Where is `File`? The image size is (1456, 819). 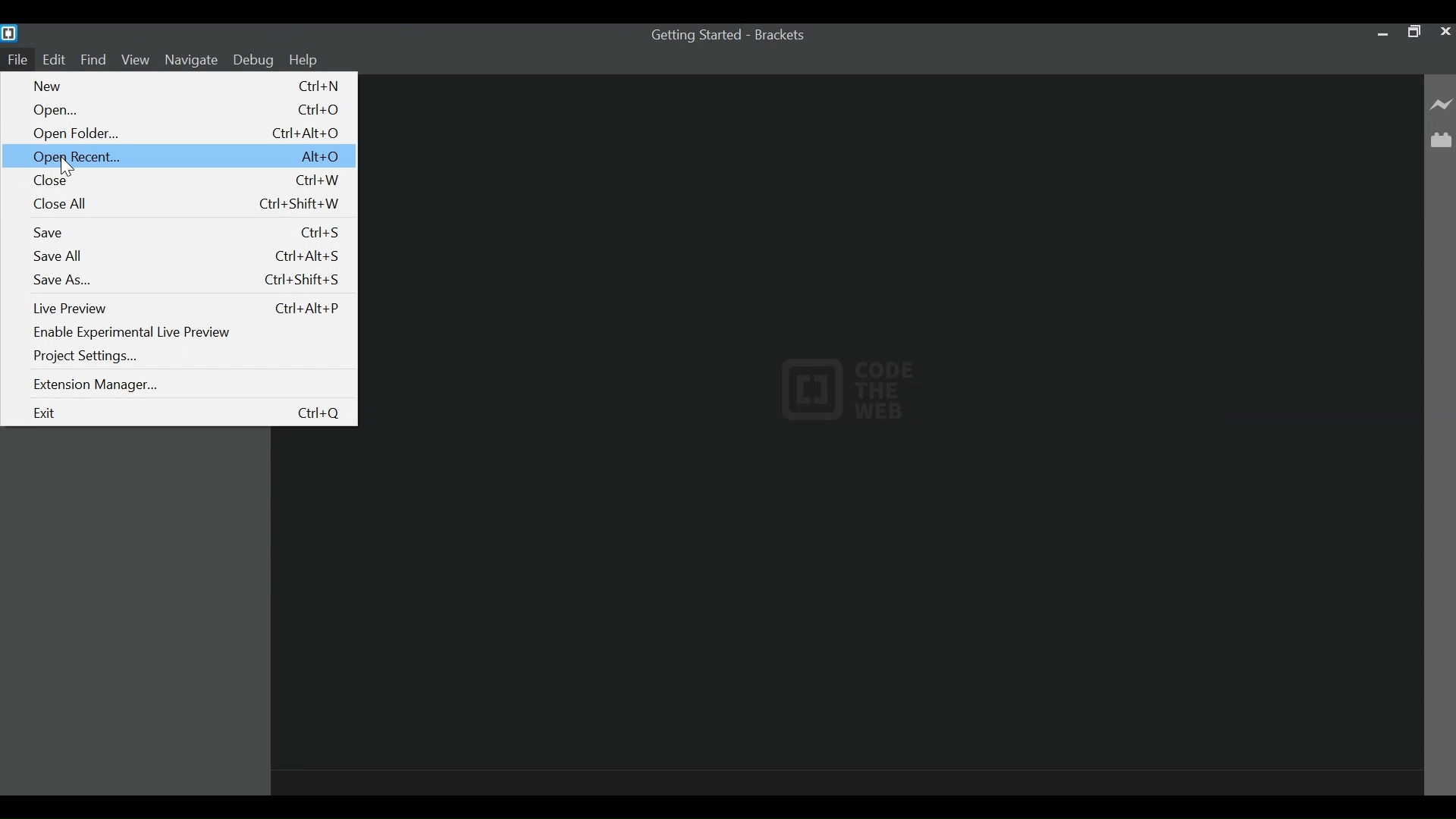 File is located at coordinates (15, 60).